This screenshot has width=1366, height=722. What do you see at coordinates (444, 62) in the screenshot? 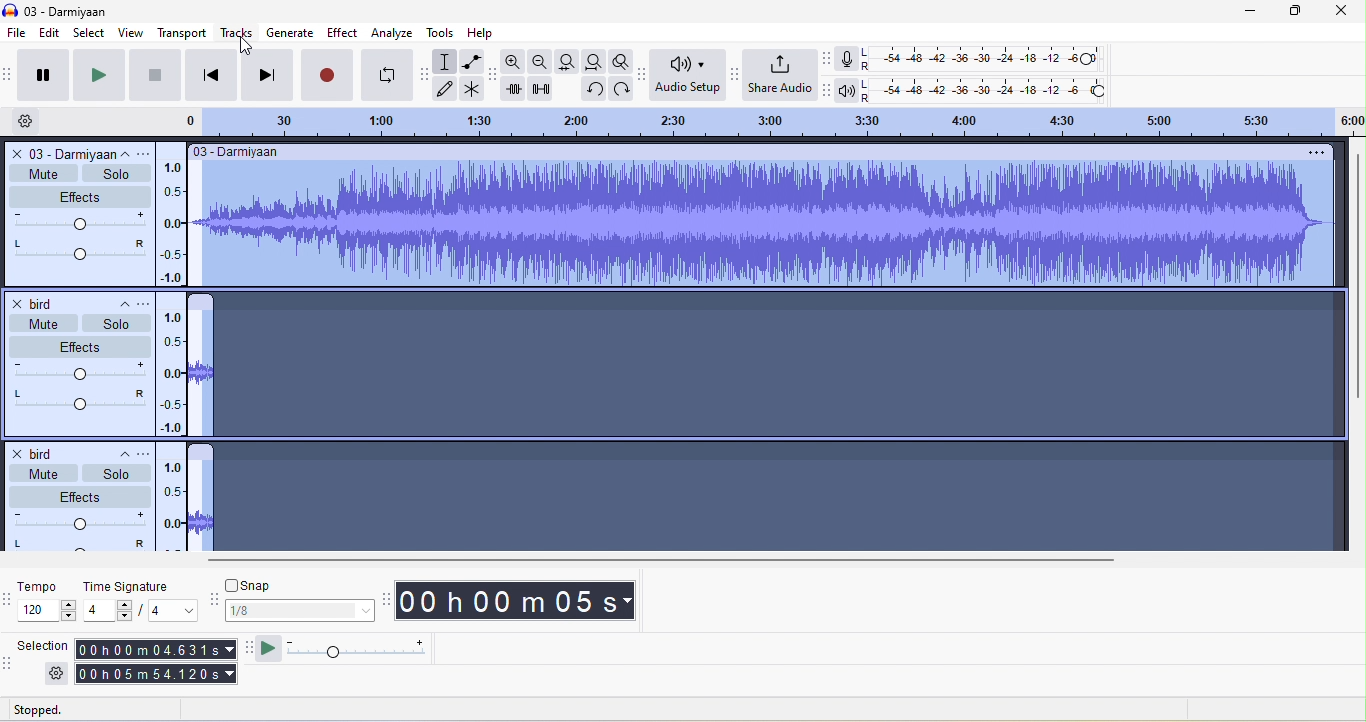
I see `selection tool` at bounding box center [444, 62].